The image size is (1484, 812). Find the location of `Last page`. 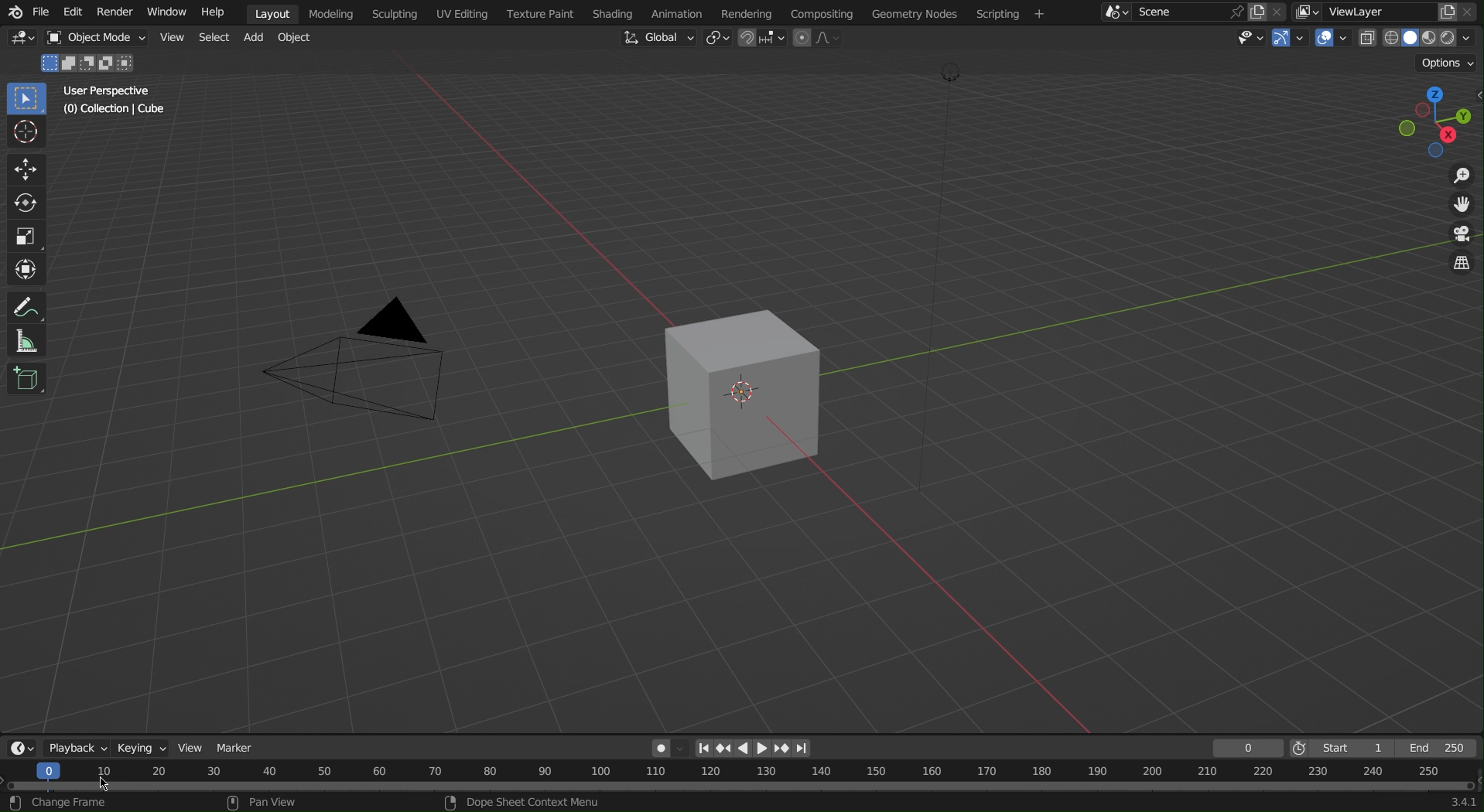

Last page is located at coordinates (810, 745).